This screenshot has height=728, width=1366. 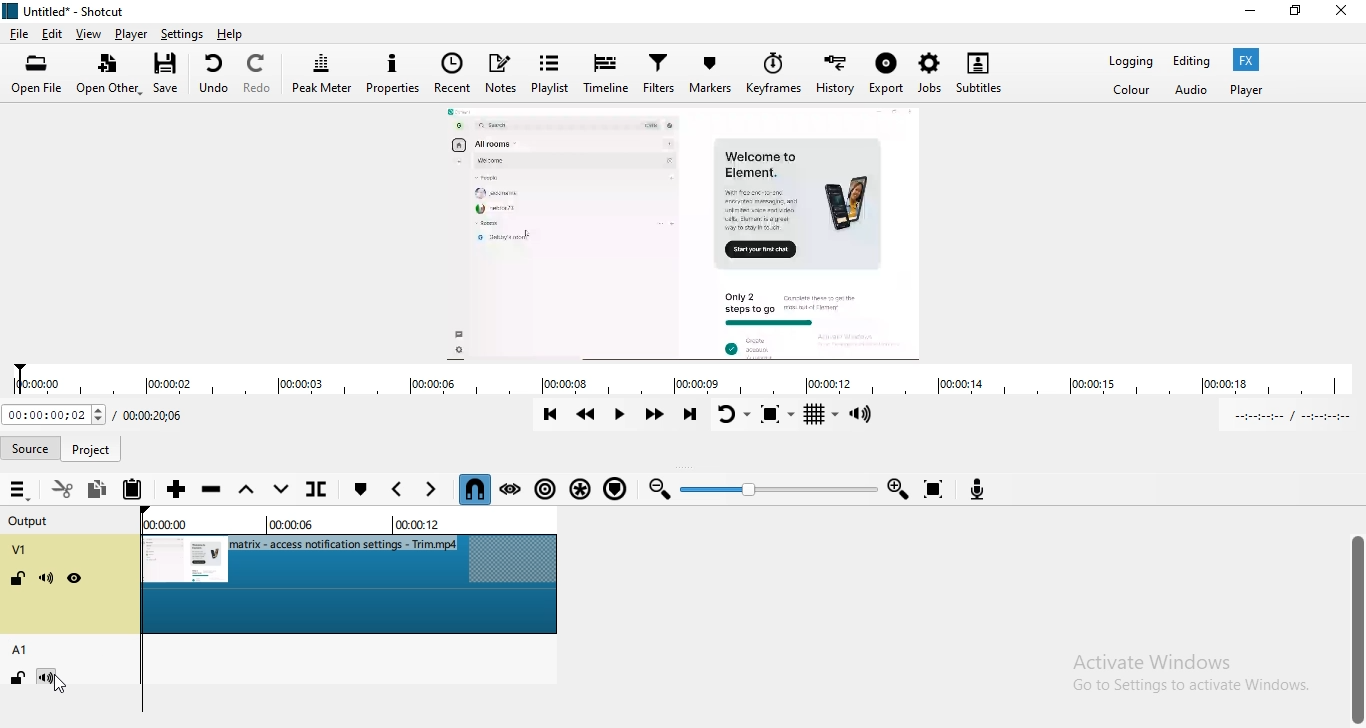 What do you see at coordinates (618, 417) in the screenshot?
I see `Toggle play or pause` at bounding box center [618, 417].